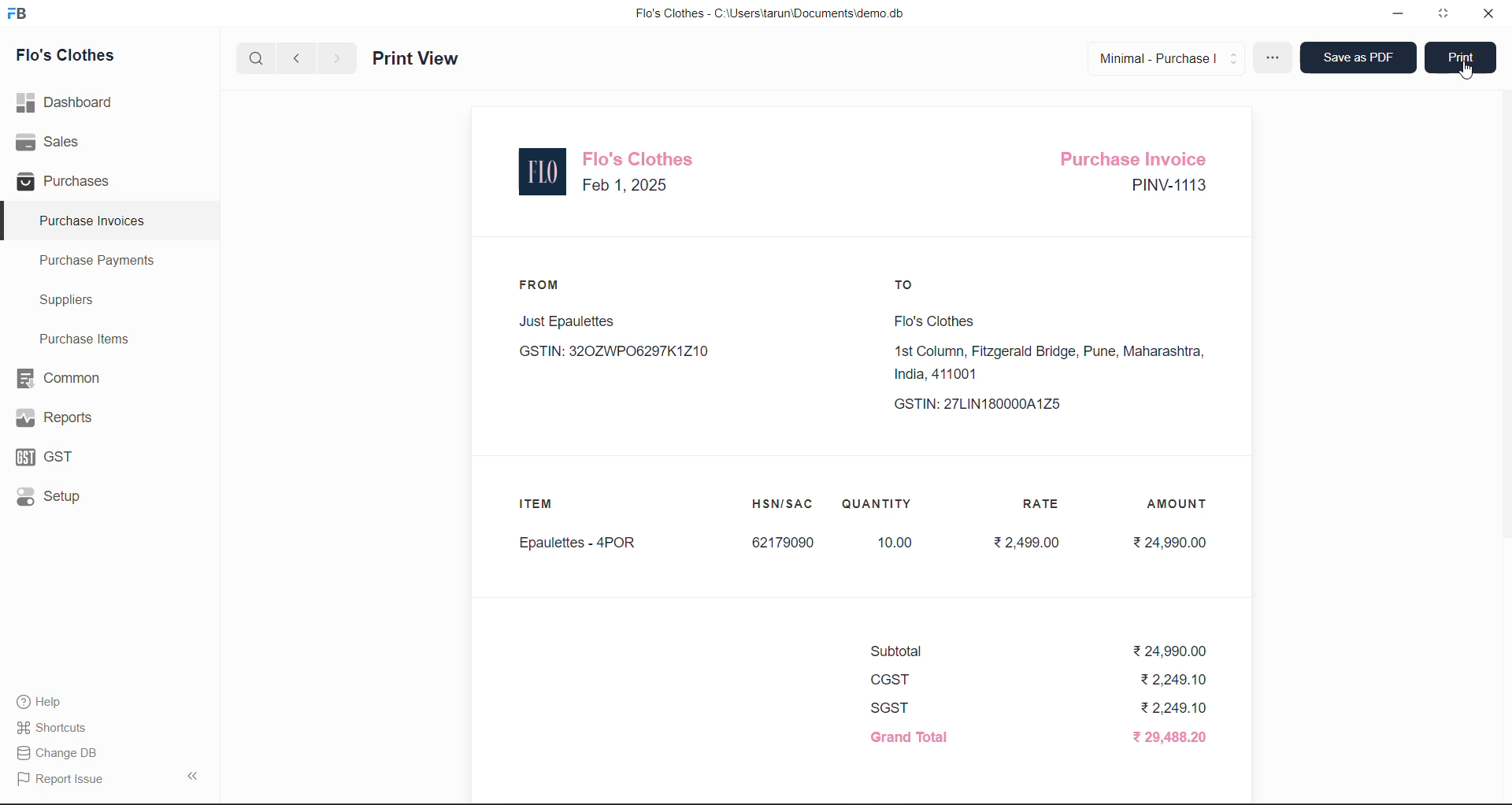  I want to click on window mode, so click(1445, 13).